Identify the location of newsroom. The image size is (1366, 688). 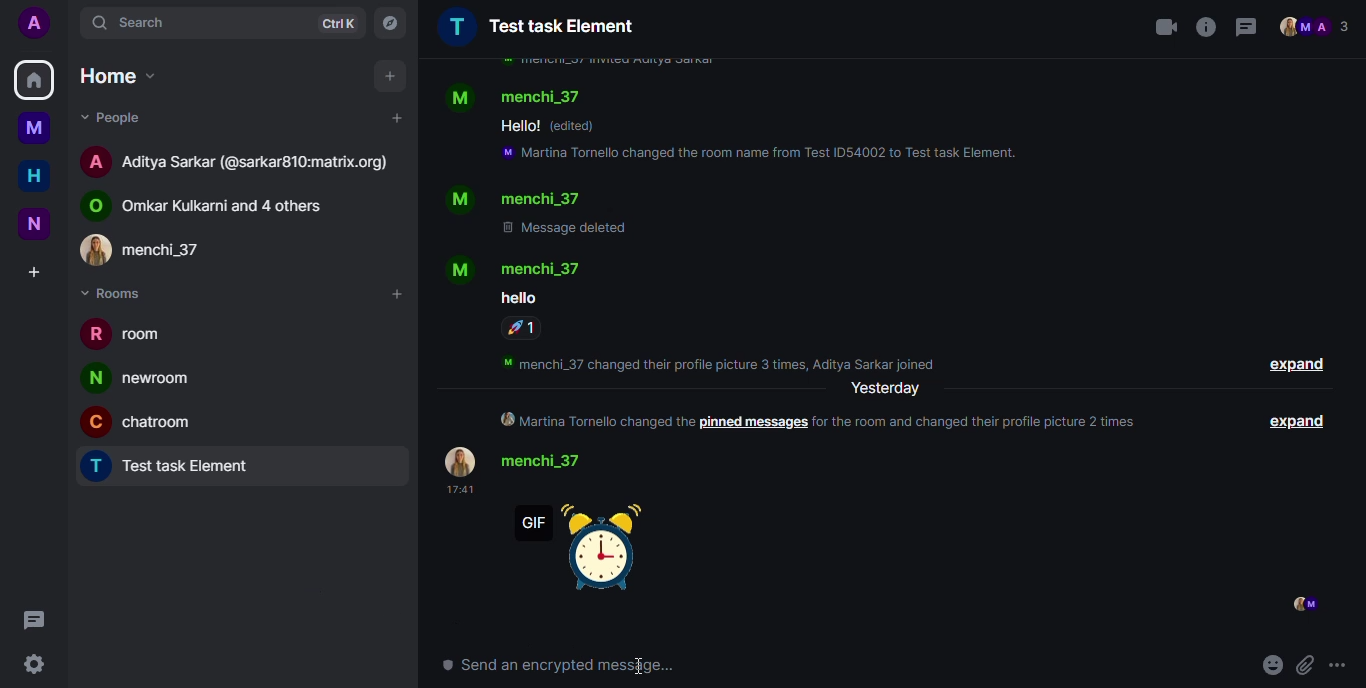
(143, 378).